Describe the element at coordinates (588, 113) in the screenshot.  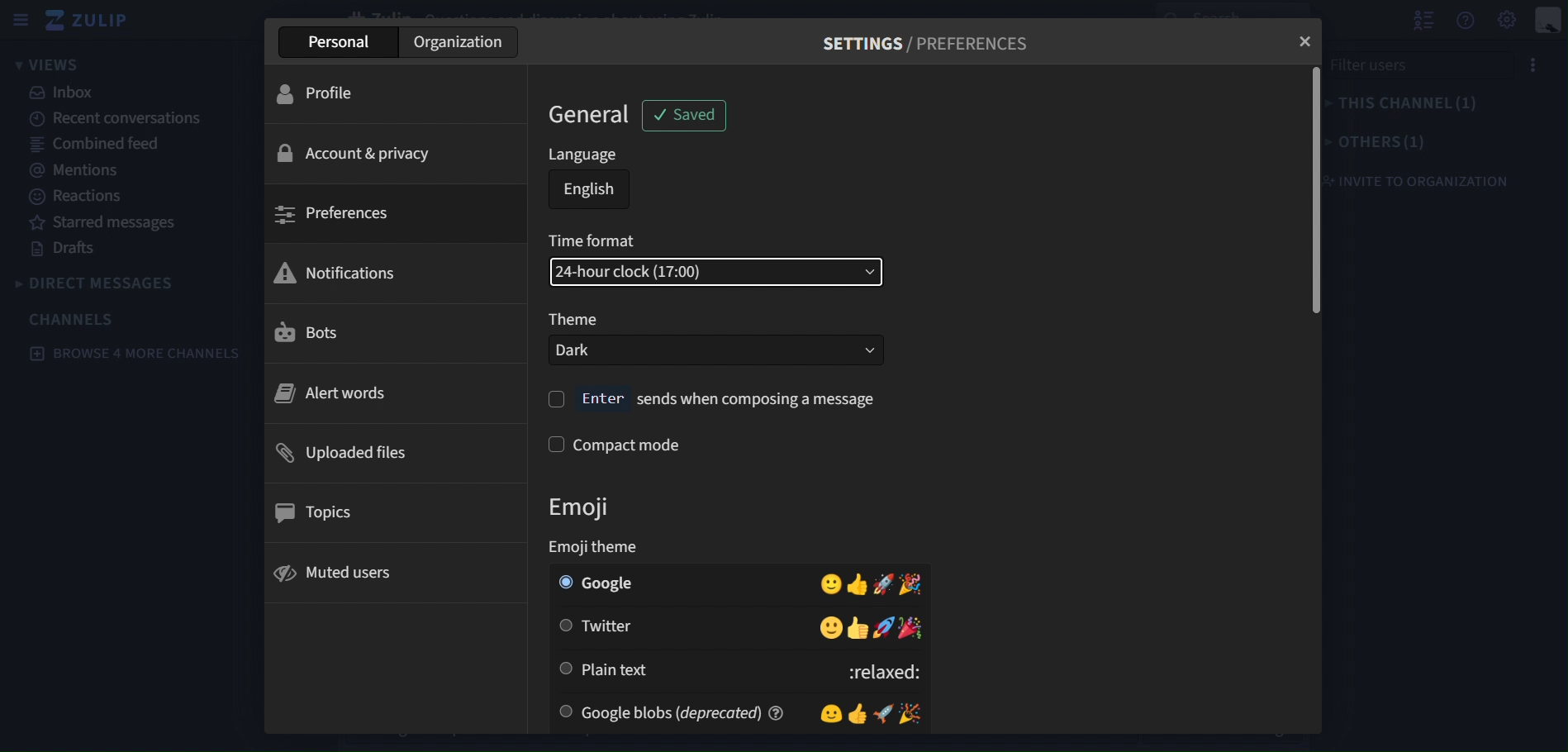
I see `general` at that location.